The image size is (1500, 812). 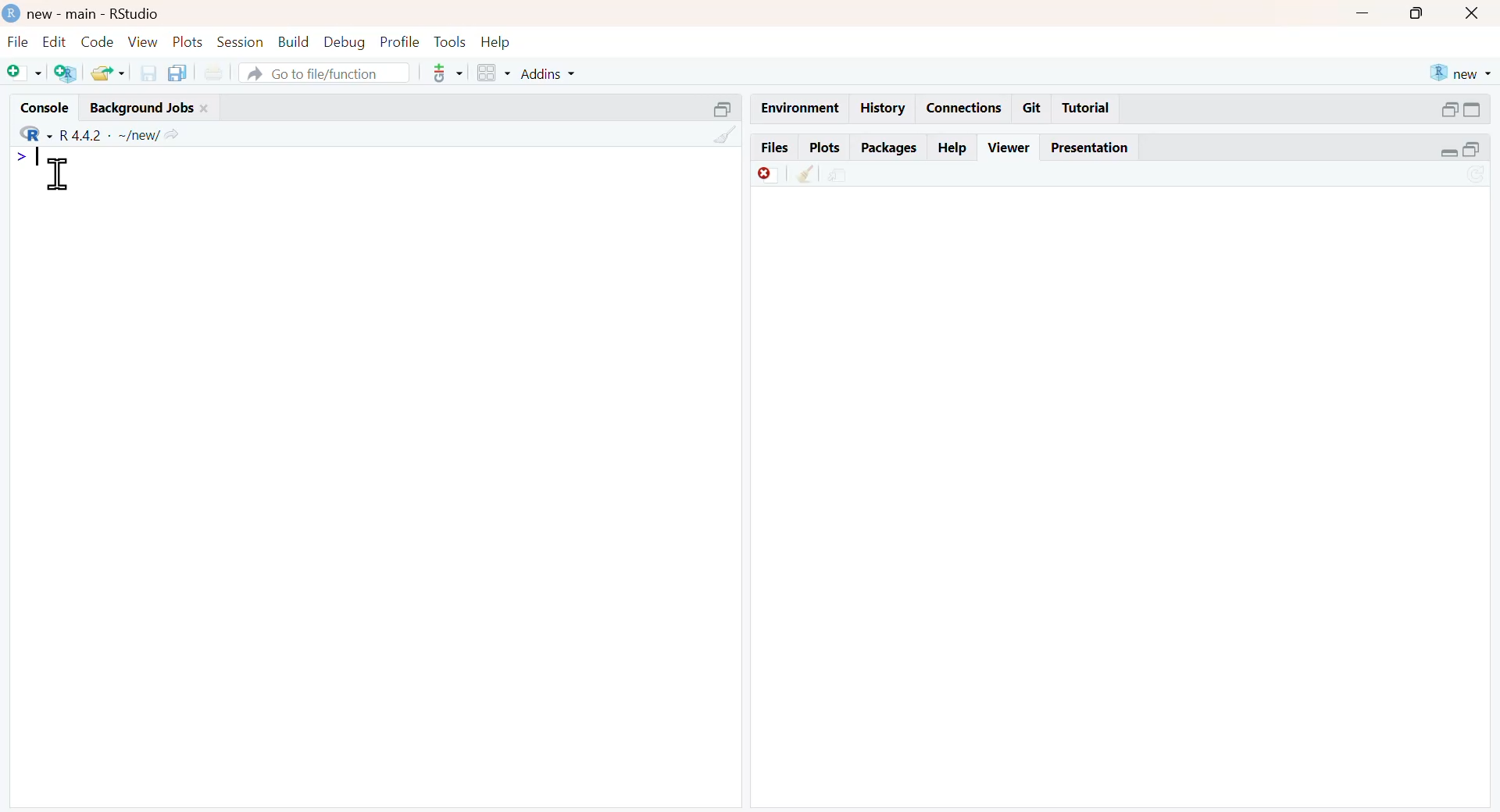 What do you see at coordinates (109, 135) in the screenshot?
I see `R 4.4.2 ~/new/` at bounding box center [109, 135].